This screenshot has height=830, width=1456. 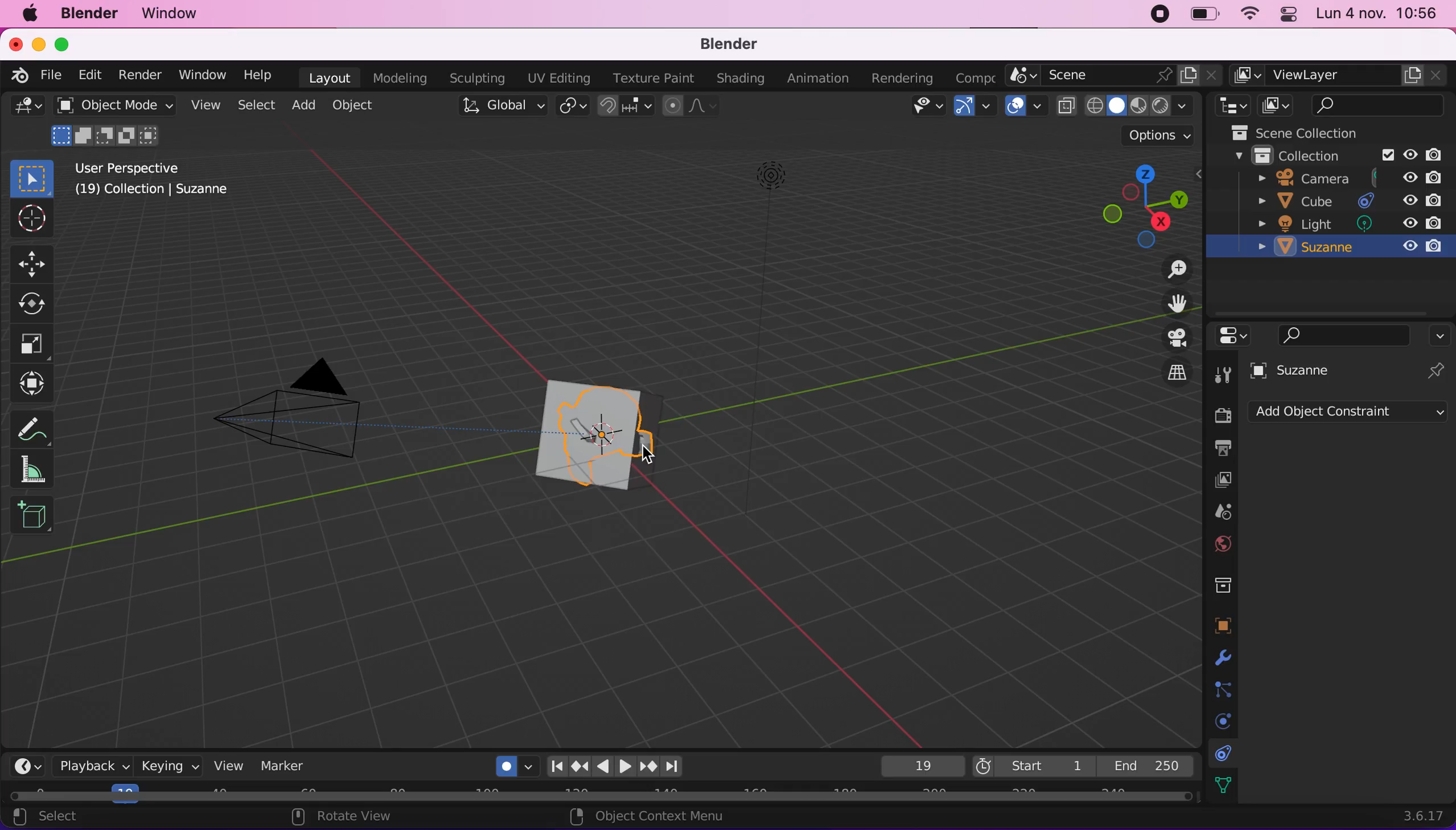 I want to click on scene collection, so click(x=1310, y=133).